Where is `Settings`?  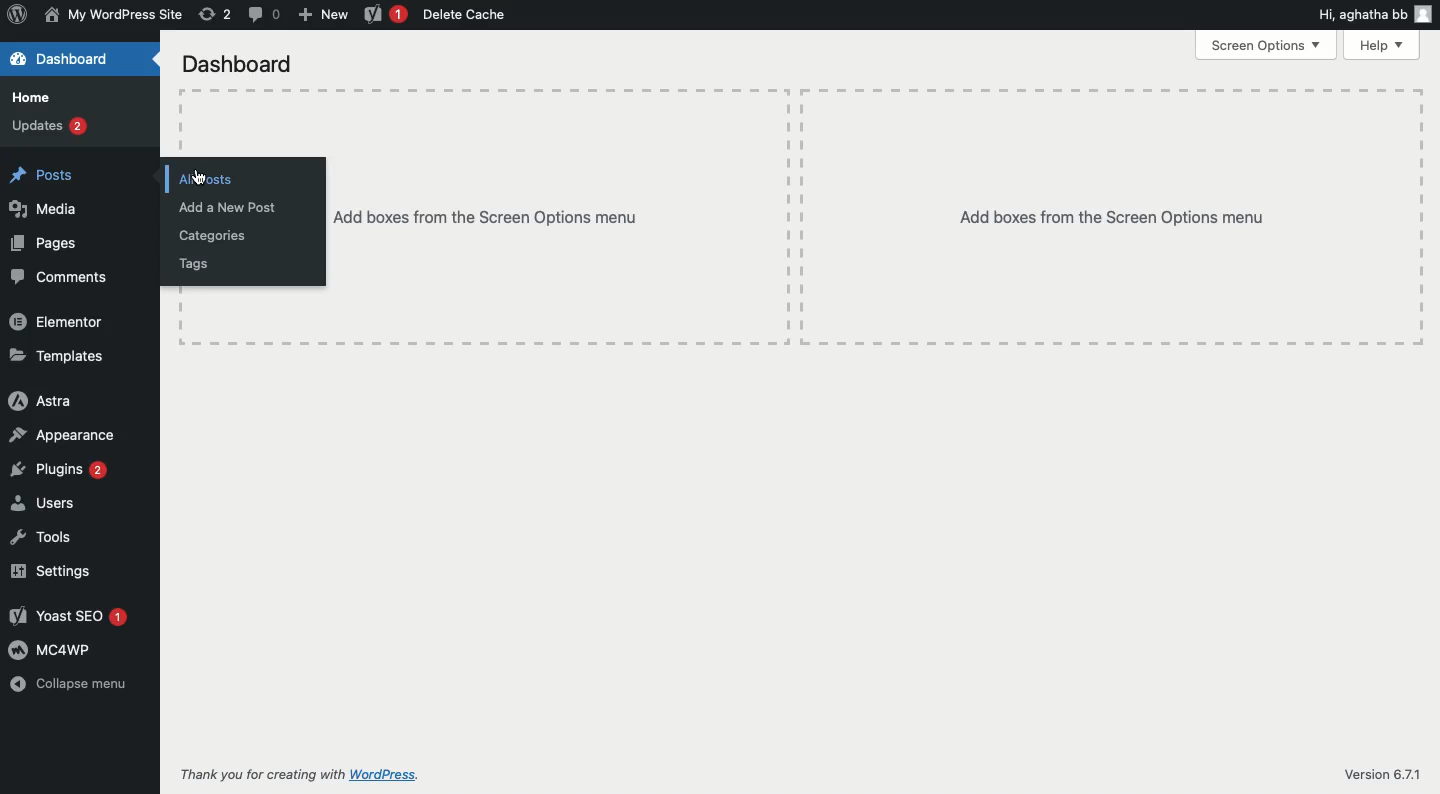 Settings is located at coordinates (57, 572).